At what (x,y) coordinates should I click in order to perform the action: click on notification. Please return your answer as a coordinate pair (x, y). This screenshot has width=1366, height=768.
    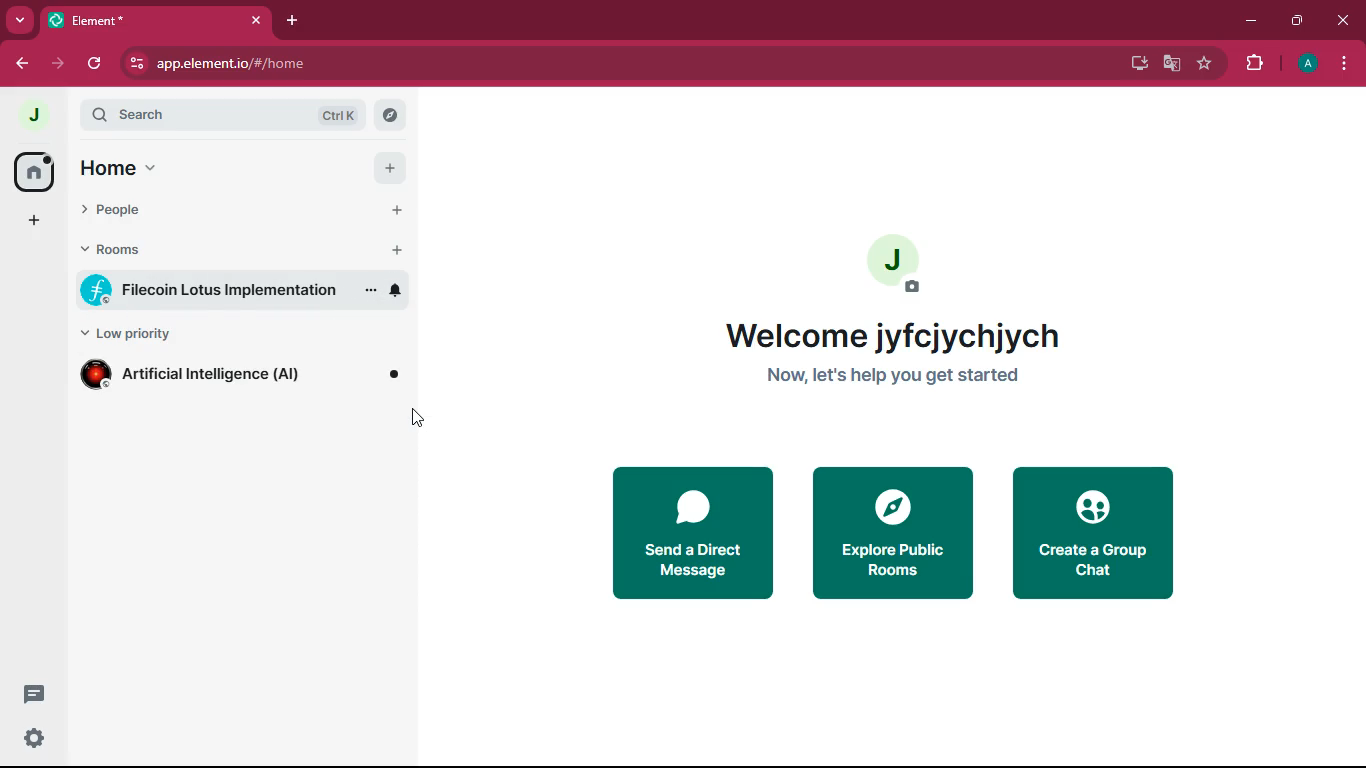
    Looking at the image, I should click on (395, 291).